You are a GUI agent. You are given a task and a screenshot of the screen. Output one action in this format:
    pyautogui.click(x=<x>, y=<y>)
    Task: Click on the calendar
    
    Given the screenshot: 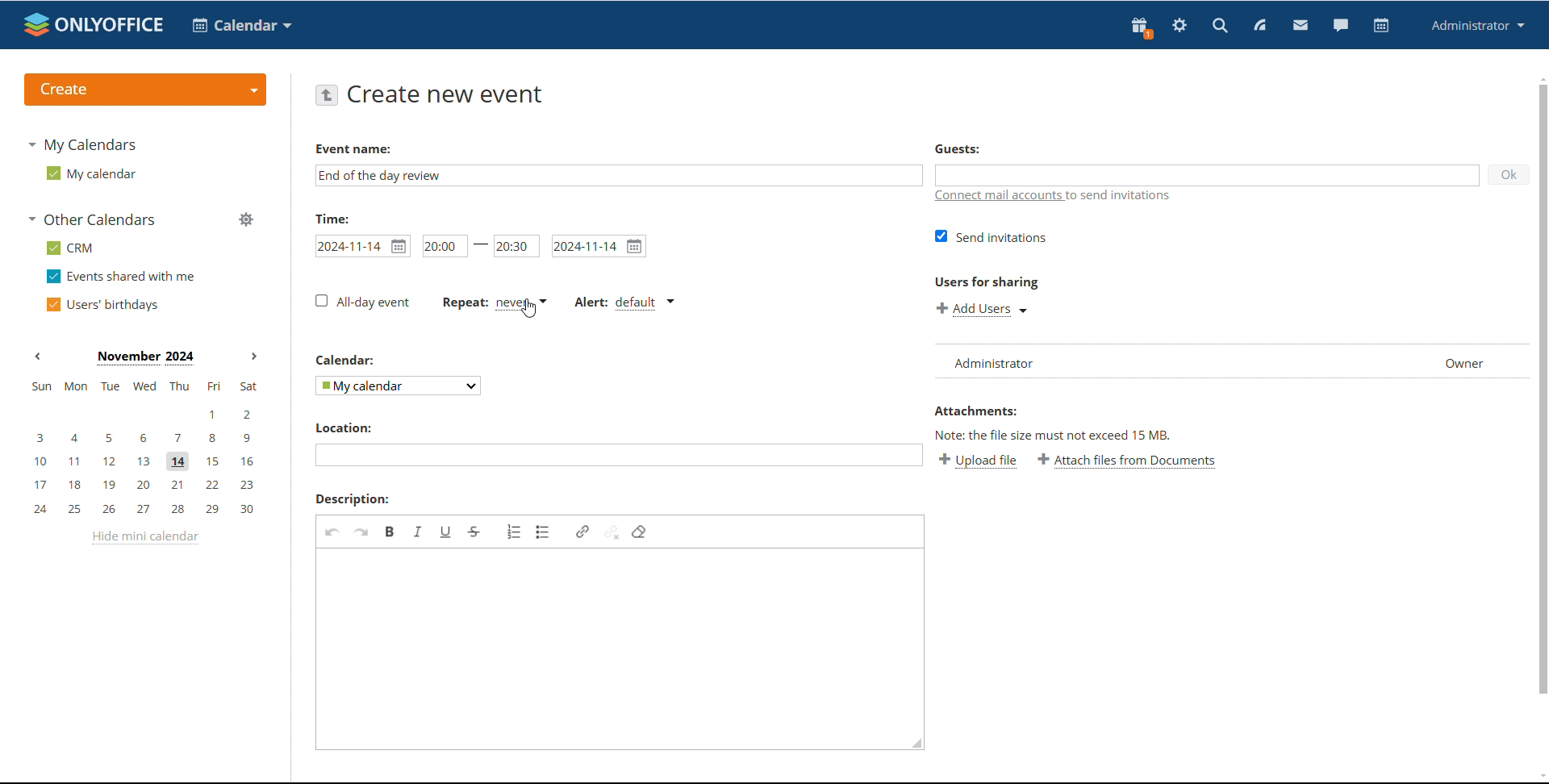 What is the action you would take?
    pyautogui.click(x=1381, y=26)
    